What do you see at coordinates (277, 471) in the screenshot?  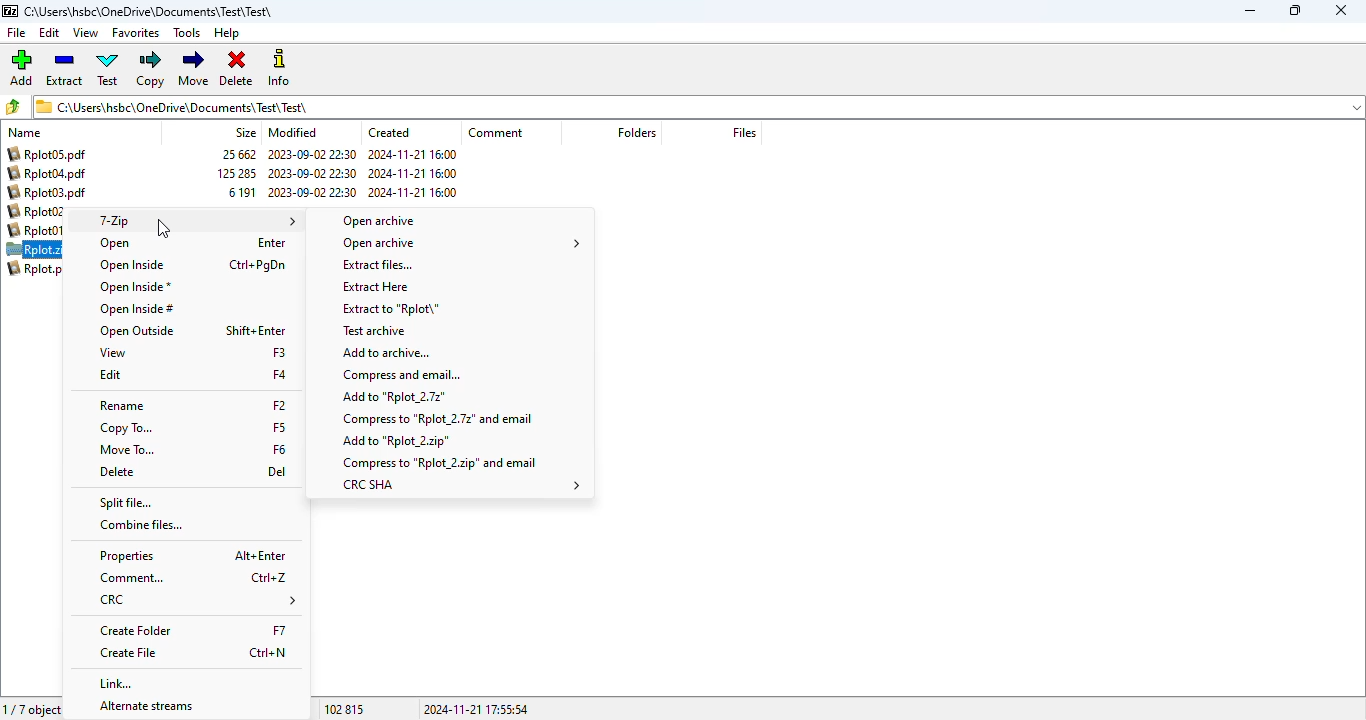 I see `Del` at bounding box center [277, 471].